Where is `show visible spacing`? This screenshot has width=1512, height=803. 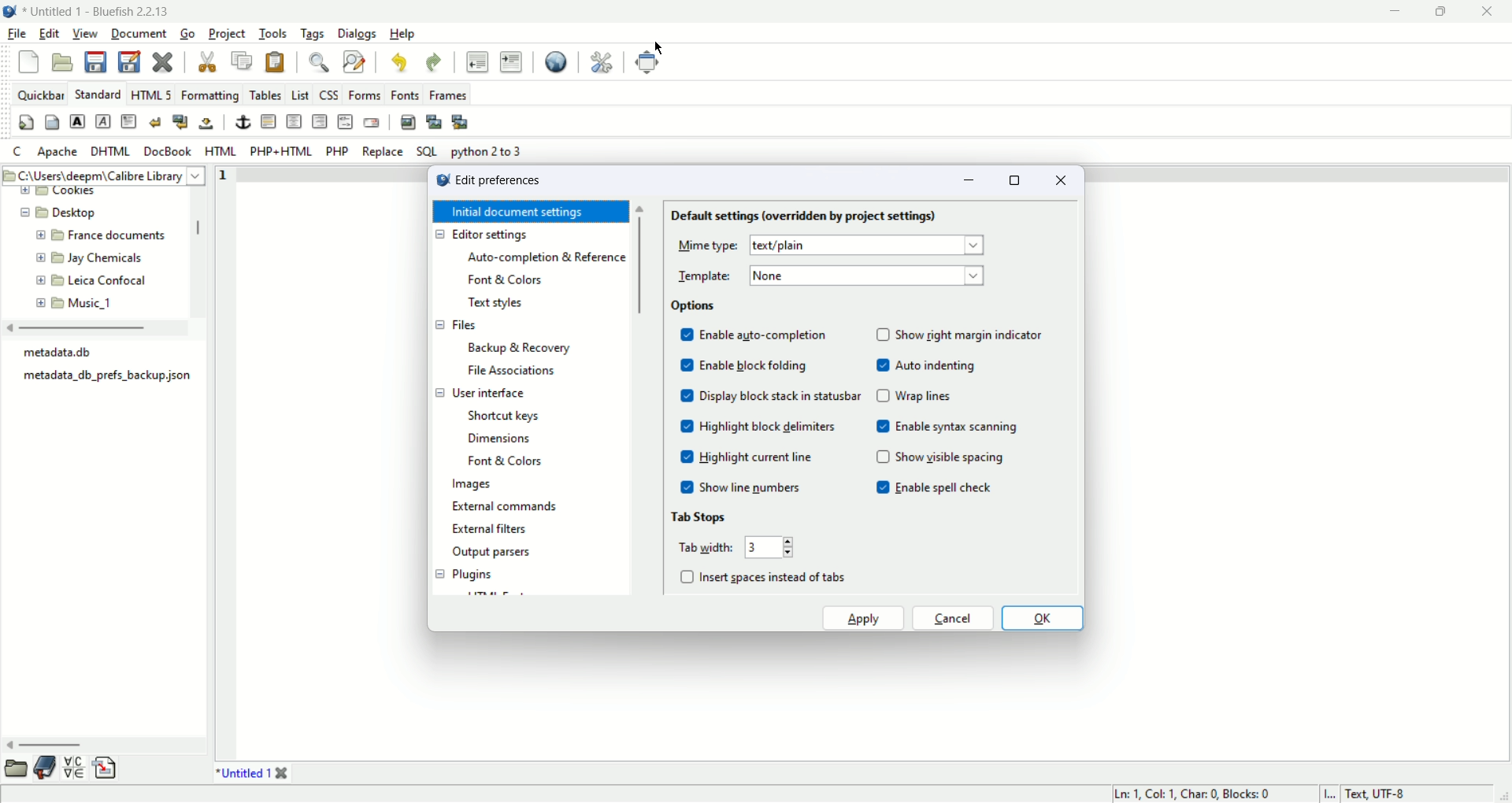
show visible spacing is located at coordinates (951, 457).